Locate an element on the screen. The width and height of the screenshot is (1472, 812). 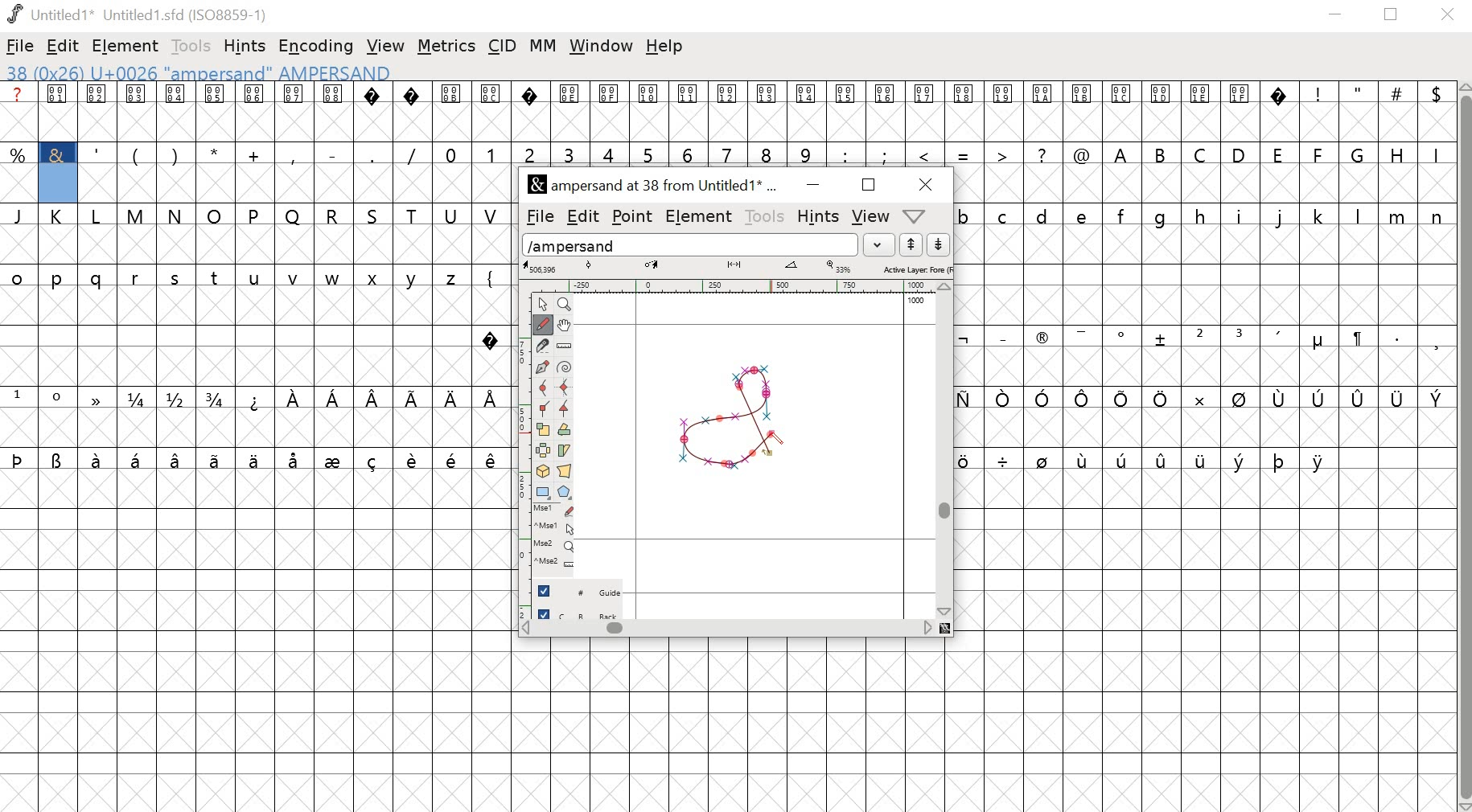
? is located at coordinates (1281, 112).